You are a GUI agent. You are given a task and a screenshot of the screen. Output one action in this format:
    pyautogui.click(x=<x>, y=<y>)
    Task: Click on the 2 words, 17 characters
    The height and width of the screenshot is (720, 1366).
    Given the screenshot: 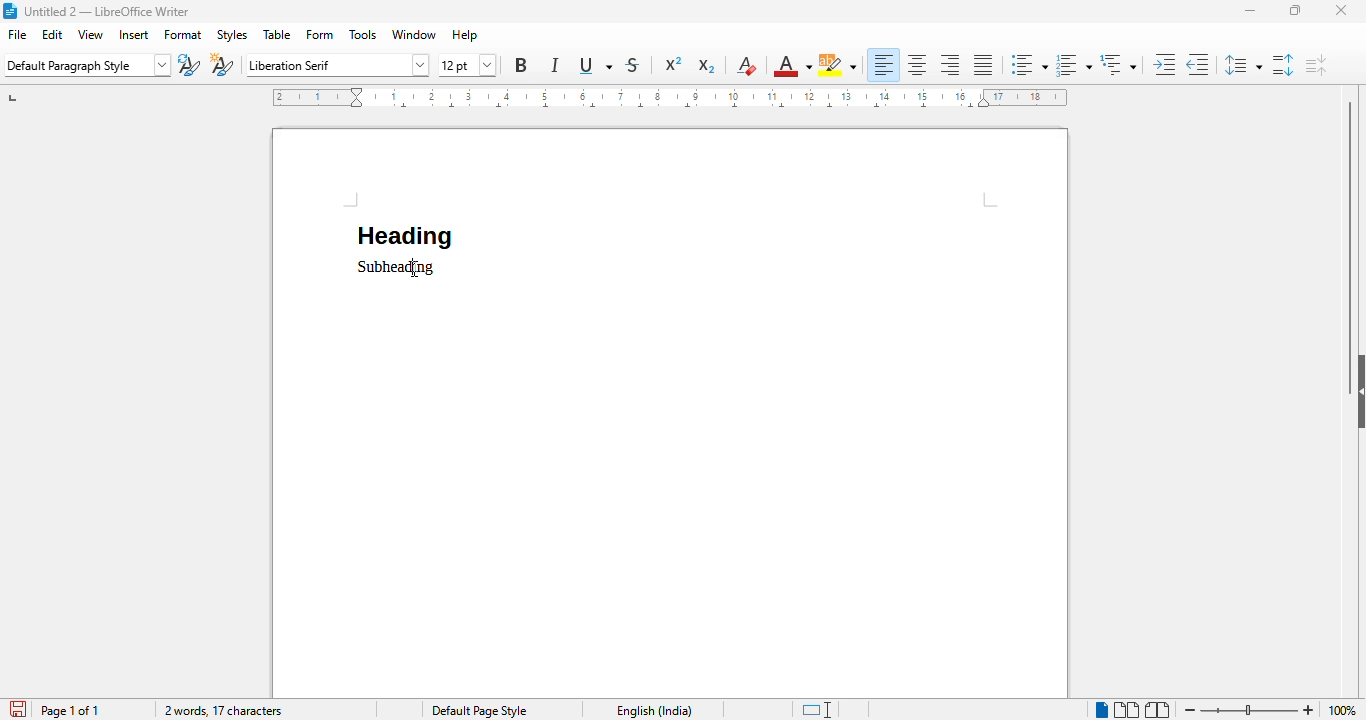 What is the action you would take?
    pyautogui.click(x=222, y=711)
    